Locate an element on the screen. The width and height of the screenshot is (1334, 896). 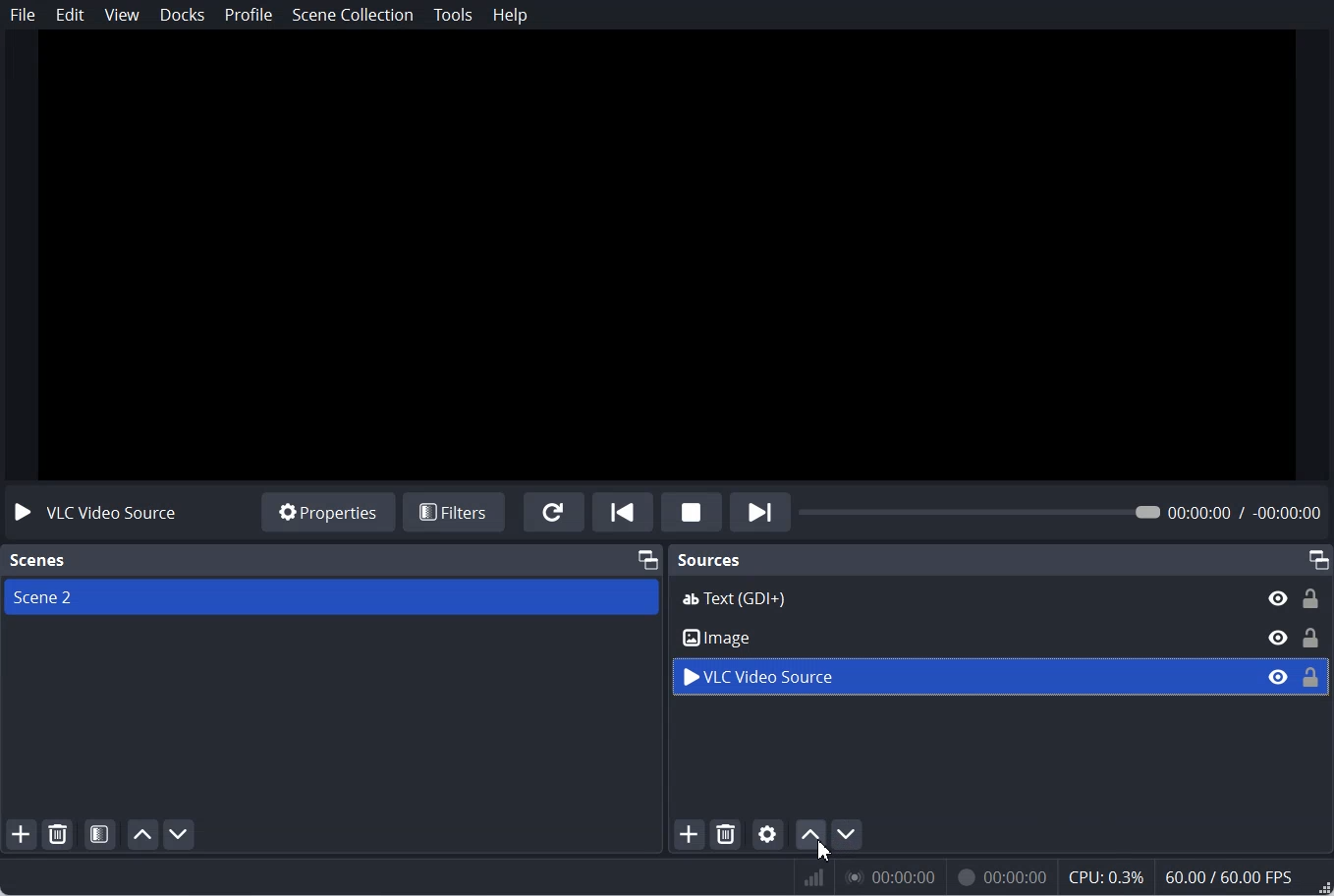
Open scene filter is located at coordinates (100, 834).